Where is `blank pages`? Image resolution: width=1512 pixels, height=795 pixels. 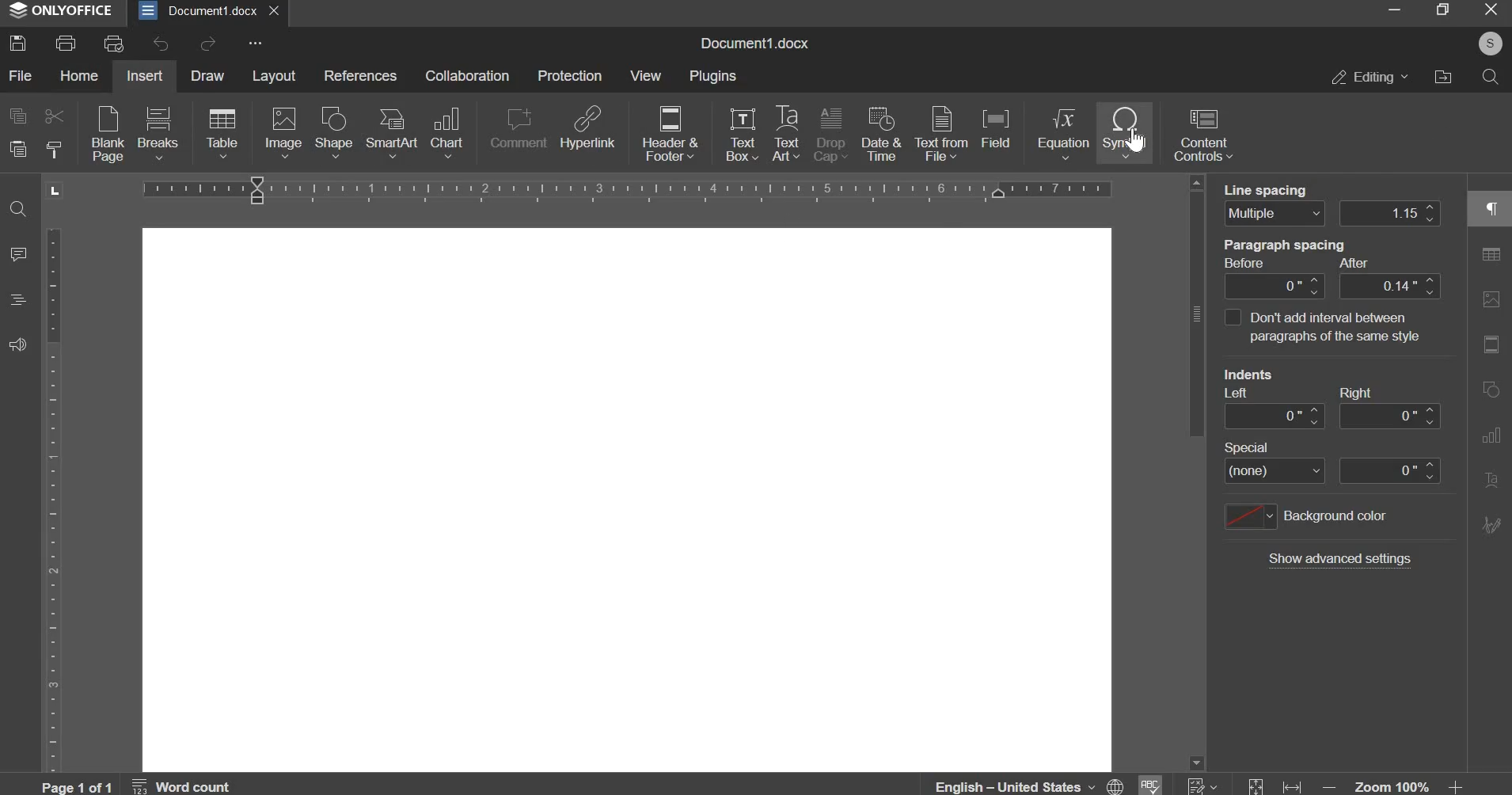 blank pages is located at coordinates (107, 132).